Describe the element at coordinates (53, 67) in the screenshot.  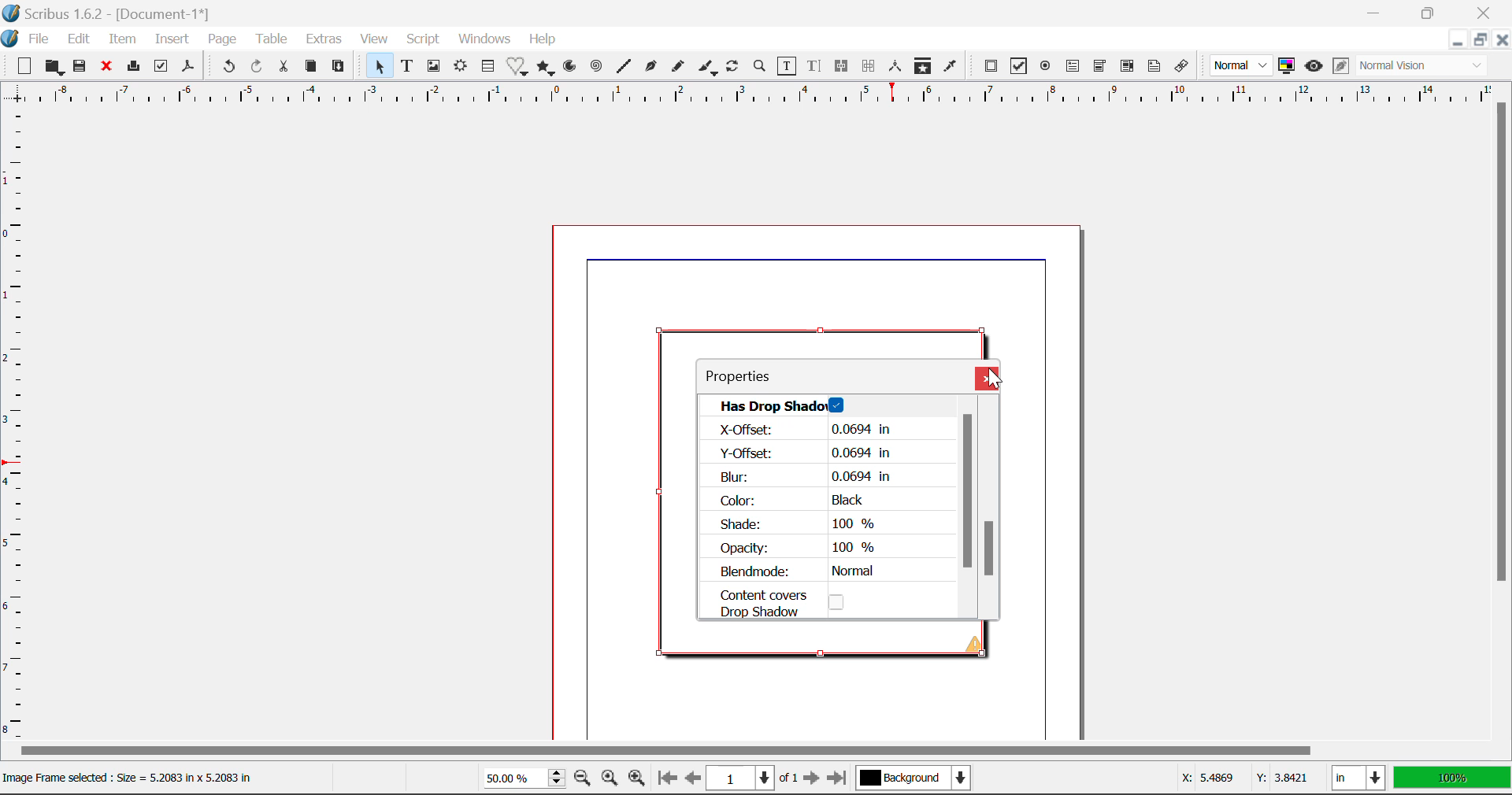
I see `Open` at that location.